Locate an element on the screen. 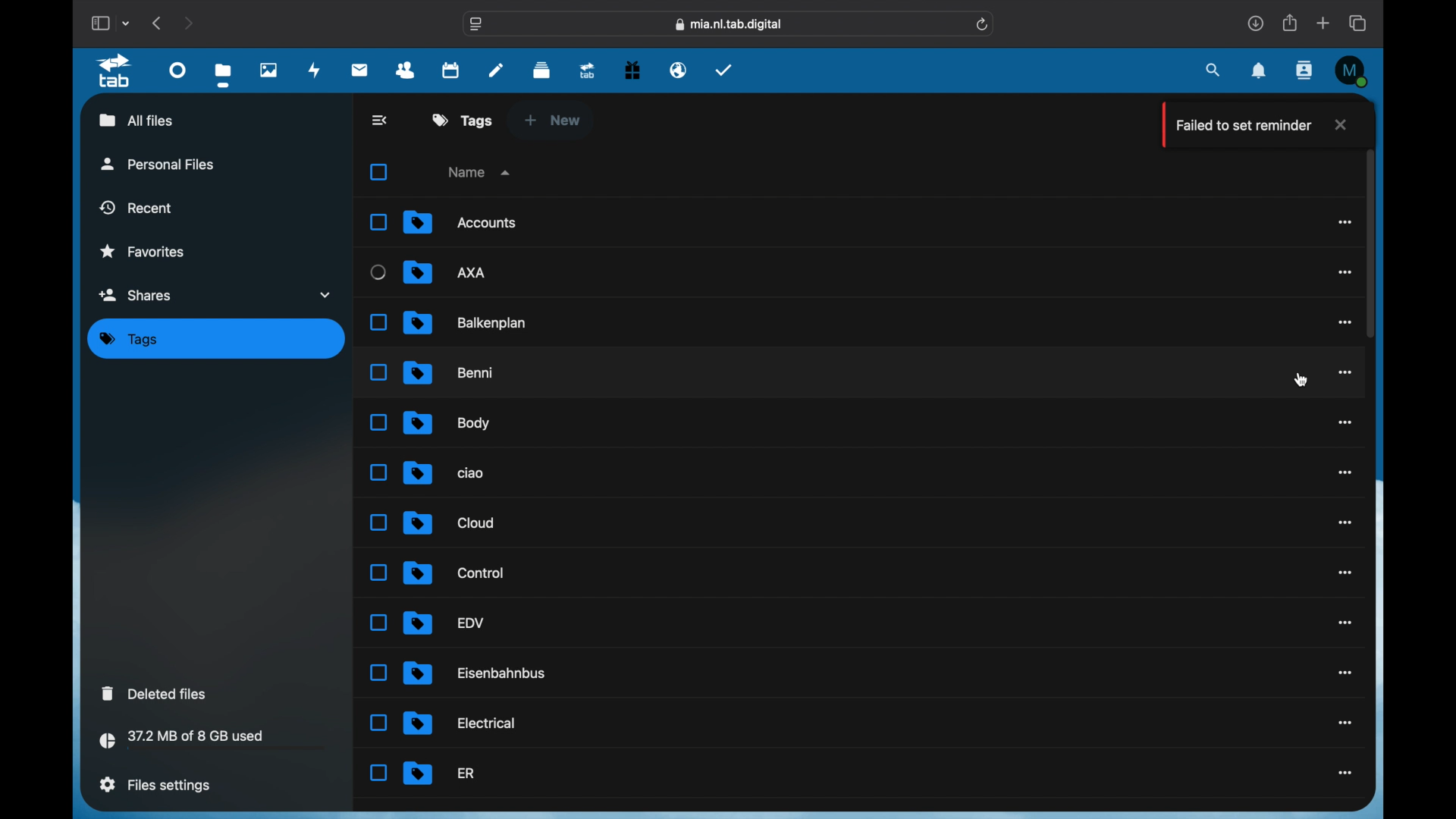  more options is located at coordinates (1346, 371).